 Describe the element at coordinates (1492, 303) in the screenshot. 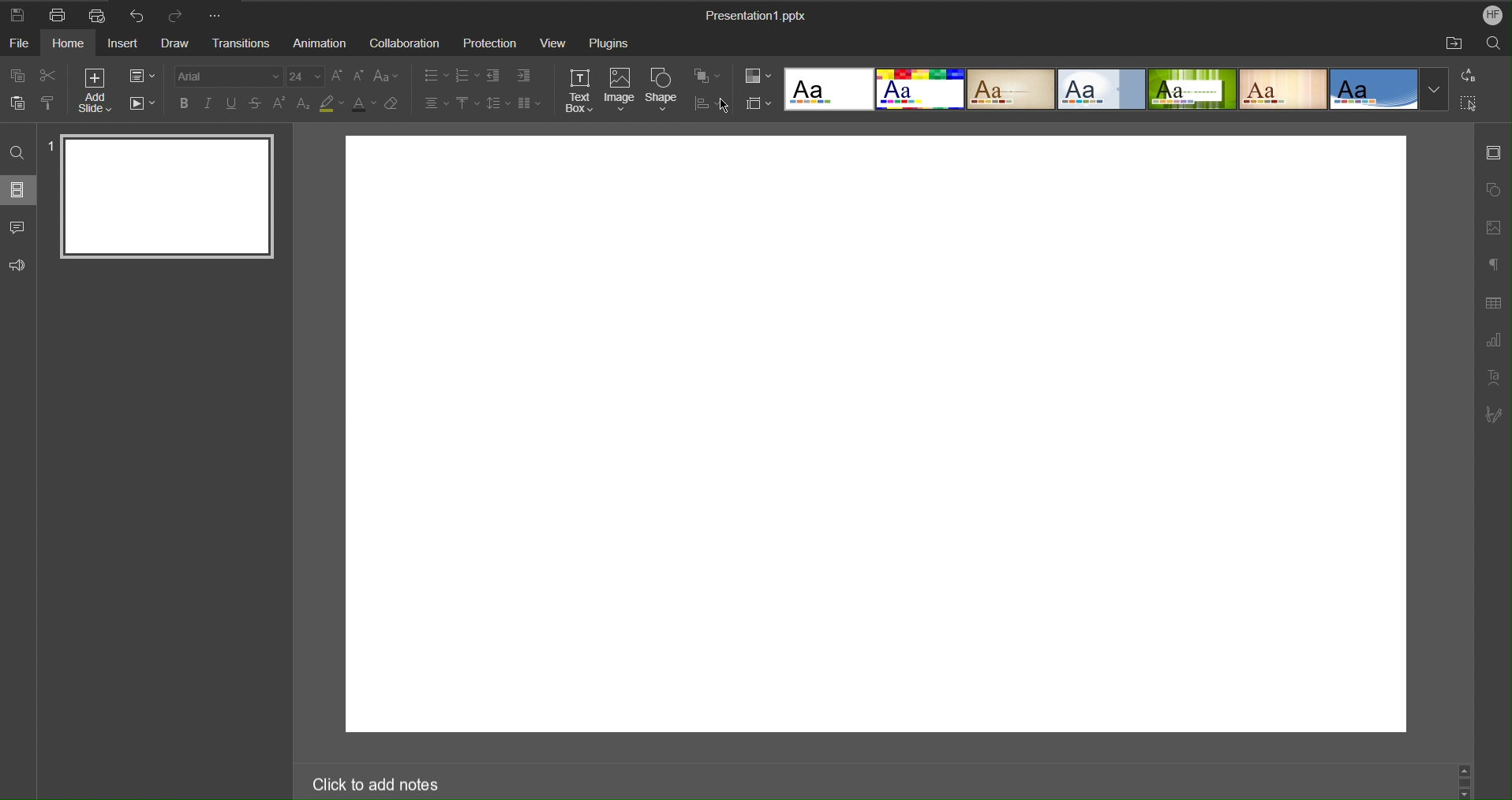

I see `Table` at that location.